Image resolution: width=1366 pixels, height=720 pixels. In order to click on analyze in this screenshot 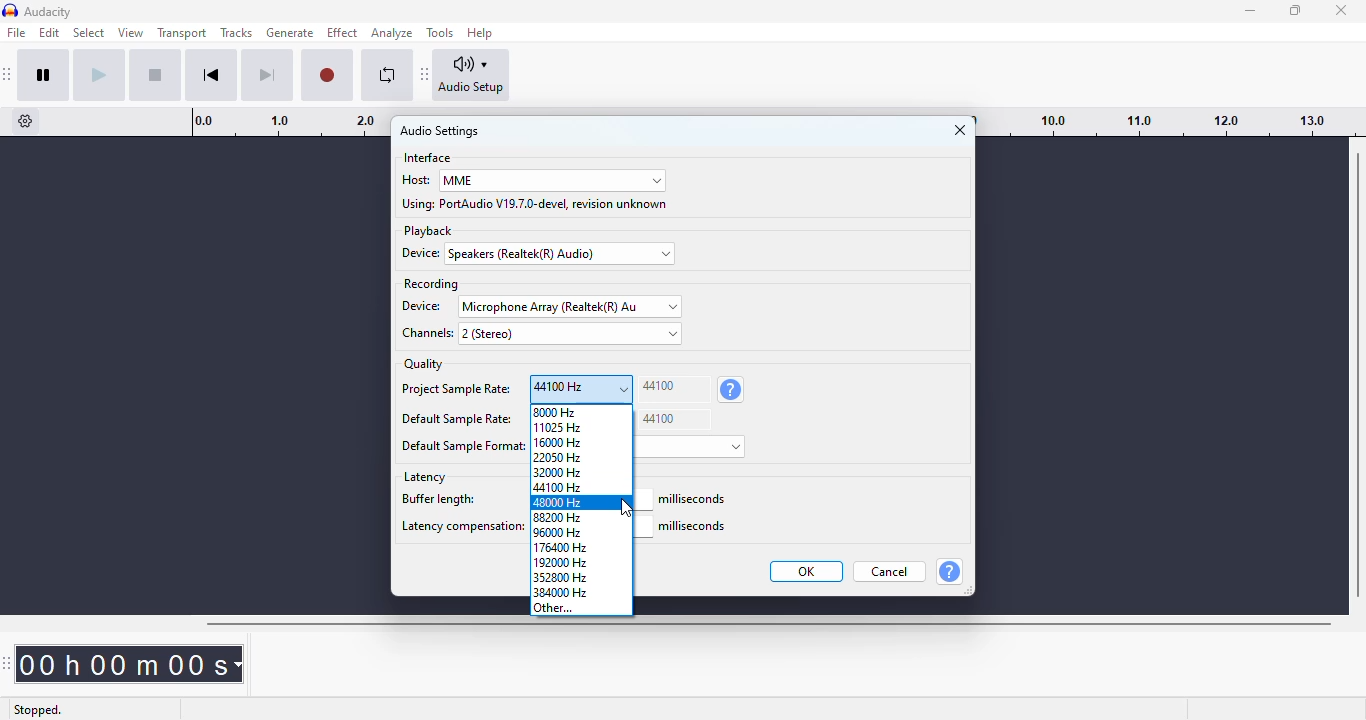, I will do `click(392, 33)`.